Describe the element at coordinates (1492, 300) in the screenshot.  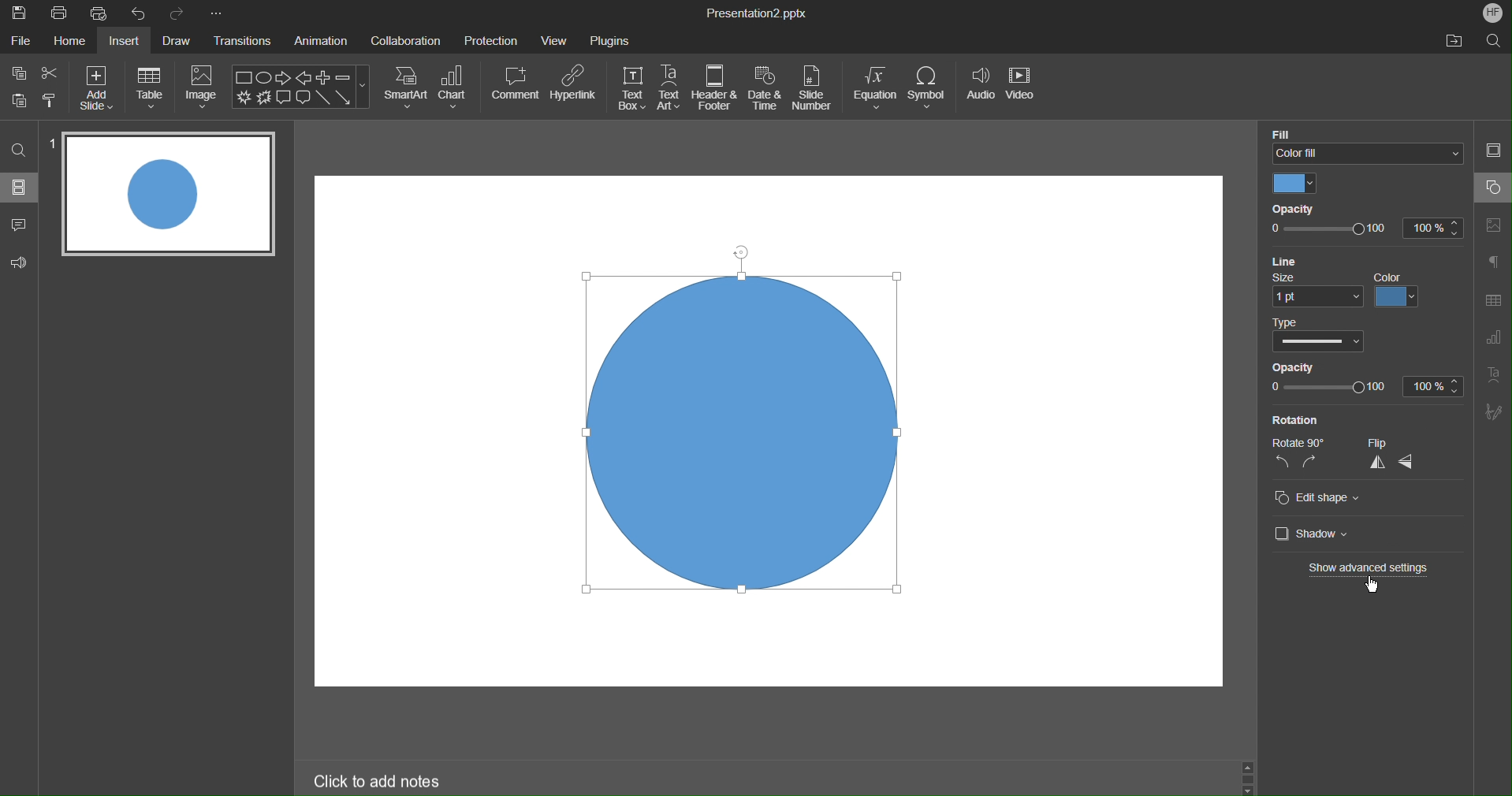
I see `Table Settings` at that location.